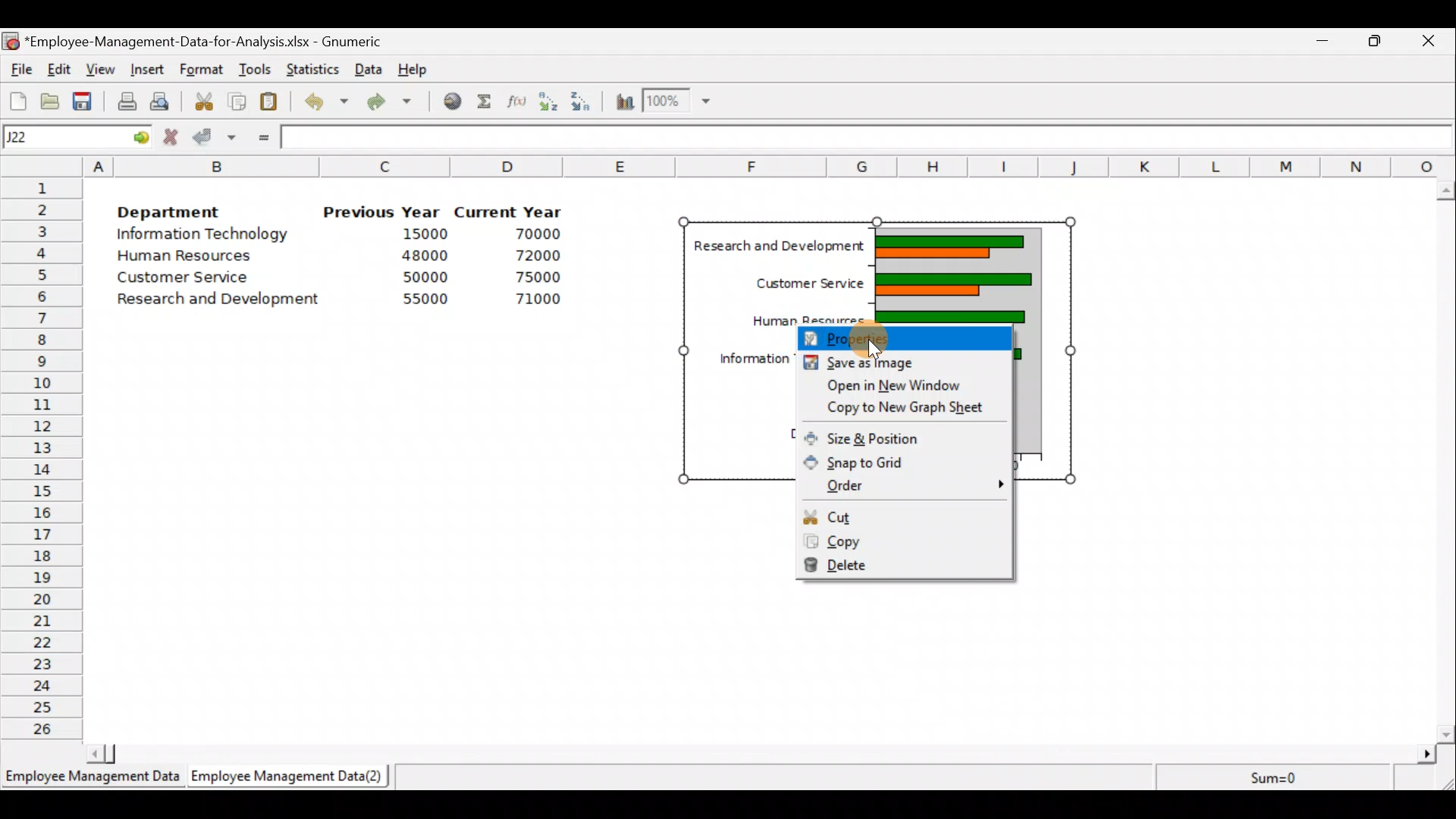 Image resolution: width=1456 pixels, height=819 pixels. What do you see at coordinates (450, 104) in the screenshot?
I see `Insert hyperlink` at bounding box center [450, 104].